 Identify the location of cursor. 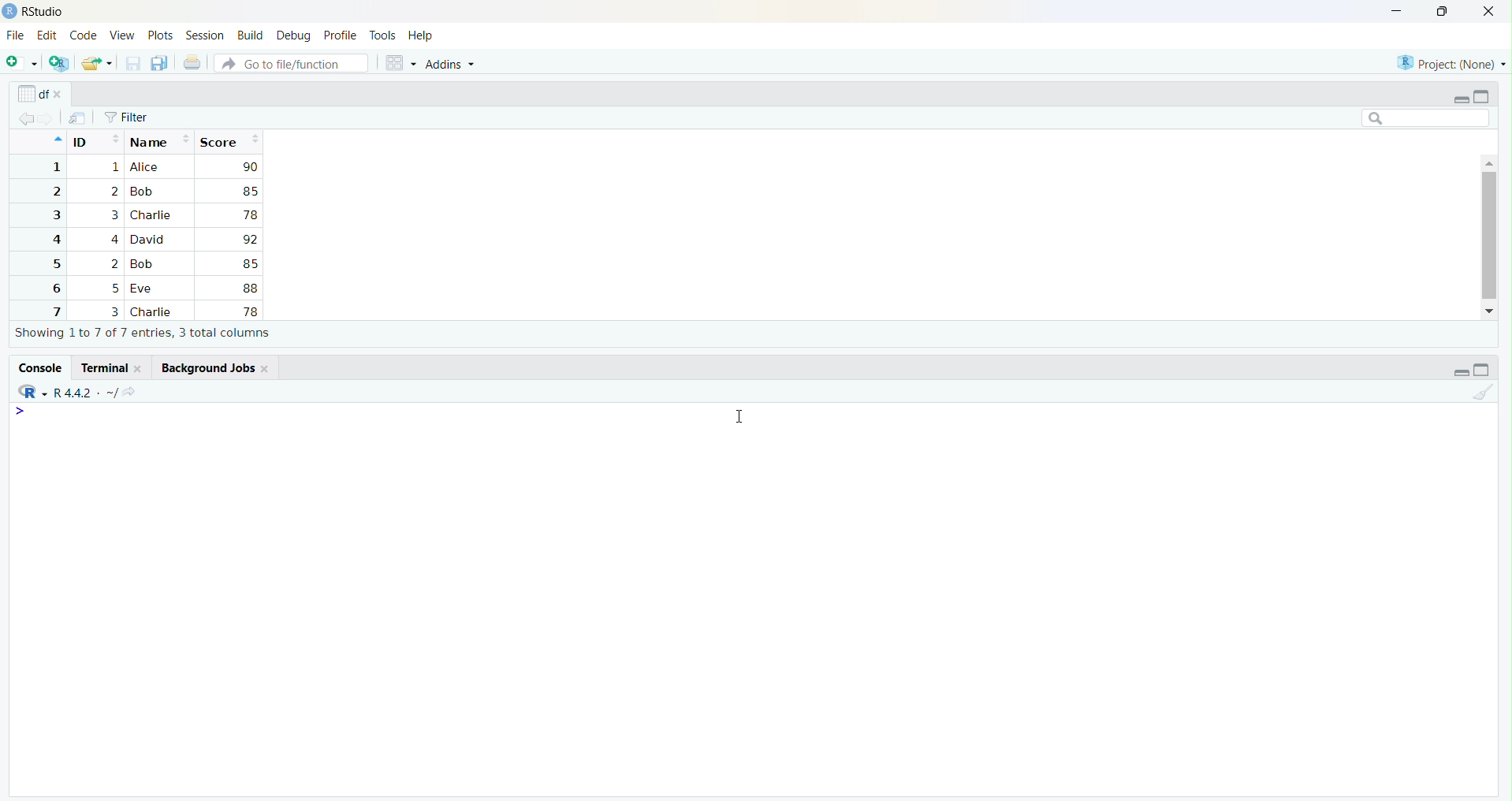
(736, 418).